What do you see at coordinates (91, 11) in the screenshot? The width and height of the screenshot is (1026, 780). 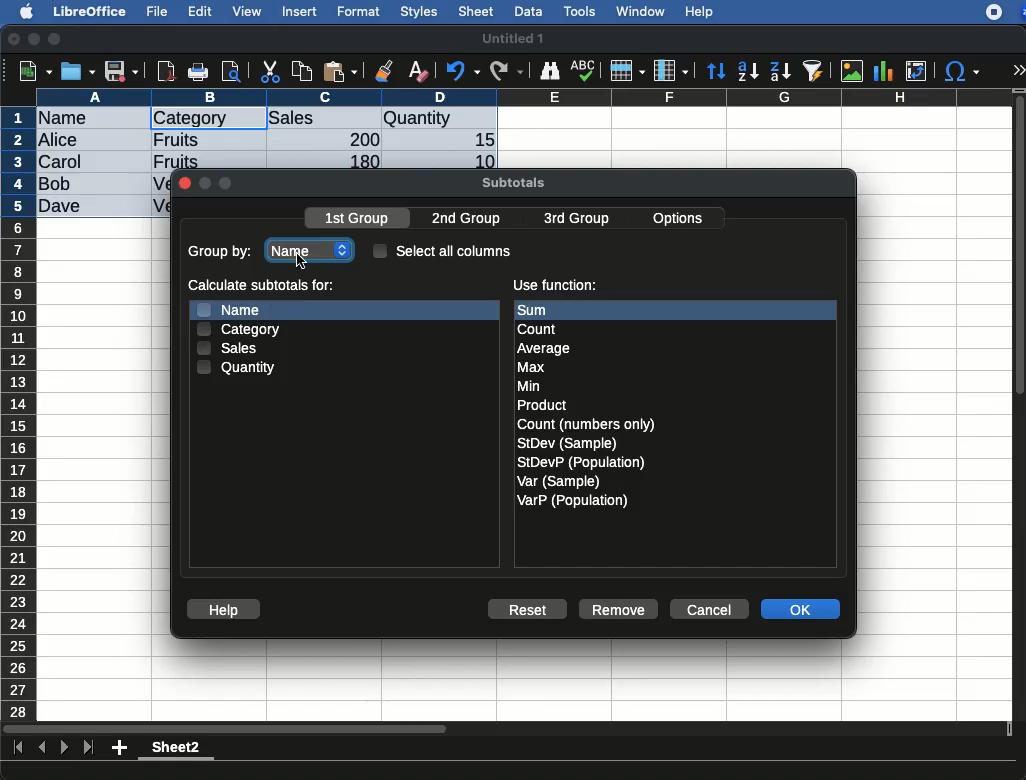 I see `libreoffice` at bounding box center [91, 11].